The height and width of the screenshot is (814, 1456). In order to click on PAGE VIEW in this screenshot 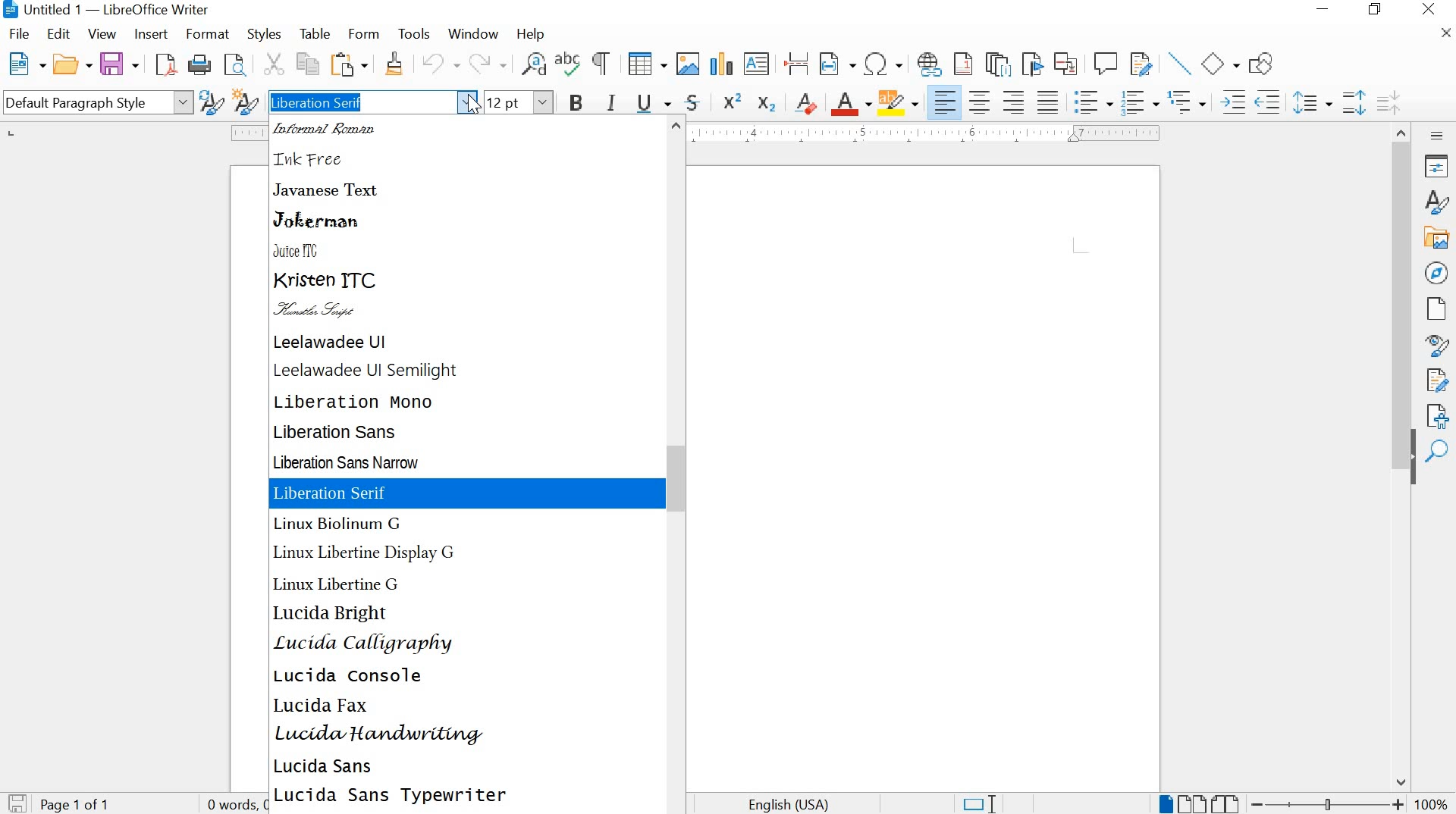, I will do `click(1200, 802)`.